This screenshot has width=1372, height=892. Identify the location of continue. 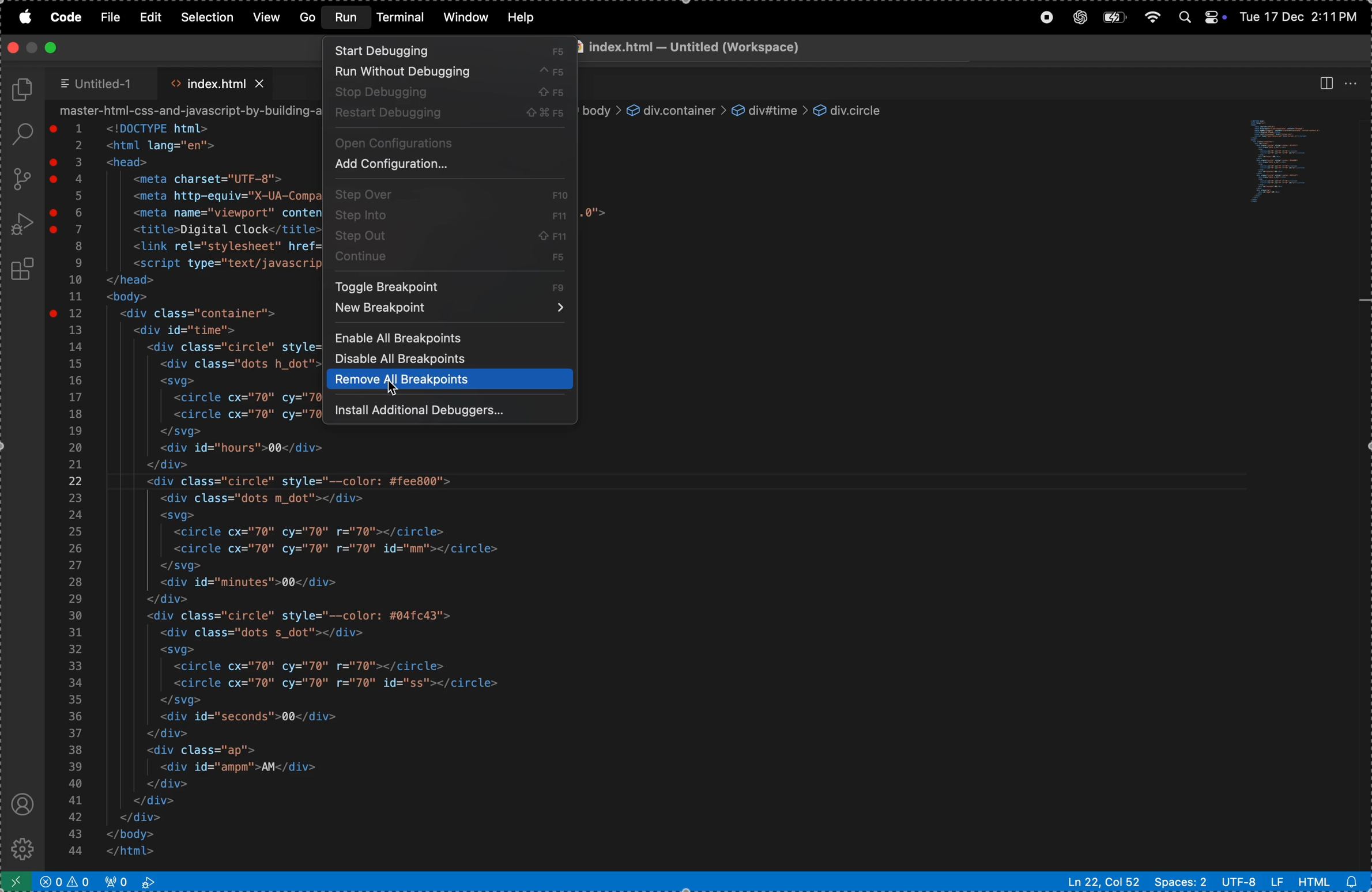
(453, 263).